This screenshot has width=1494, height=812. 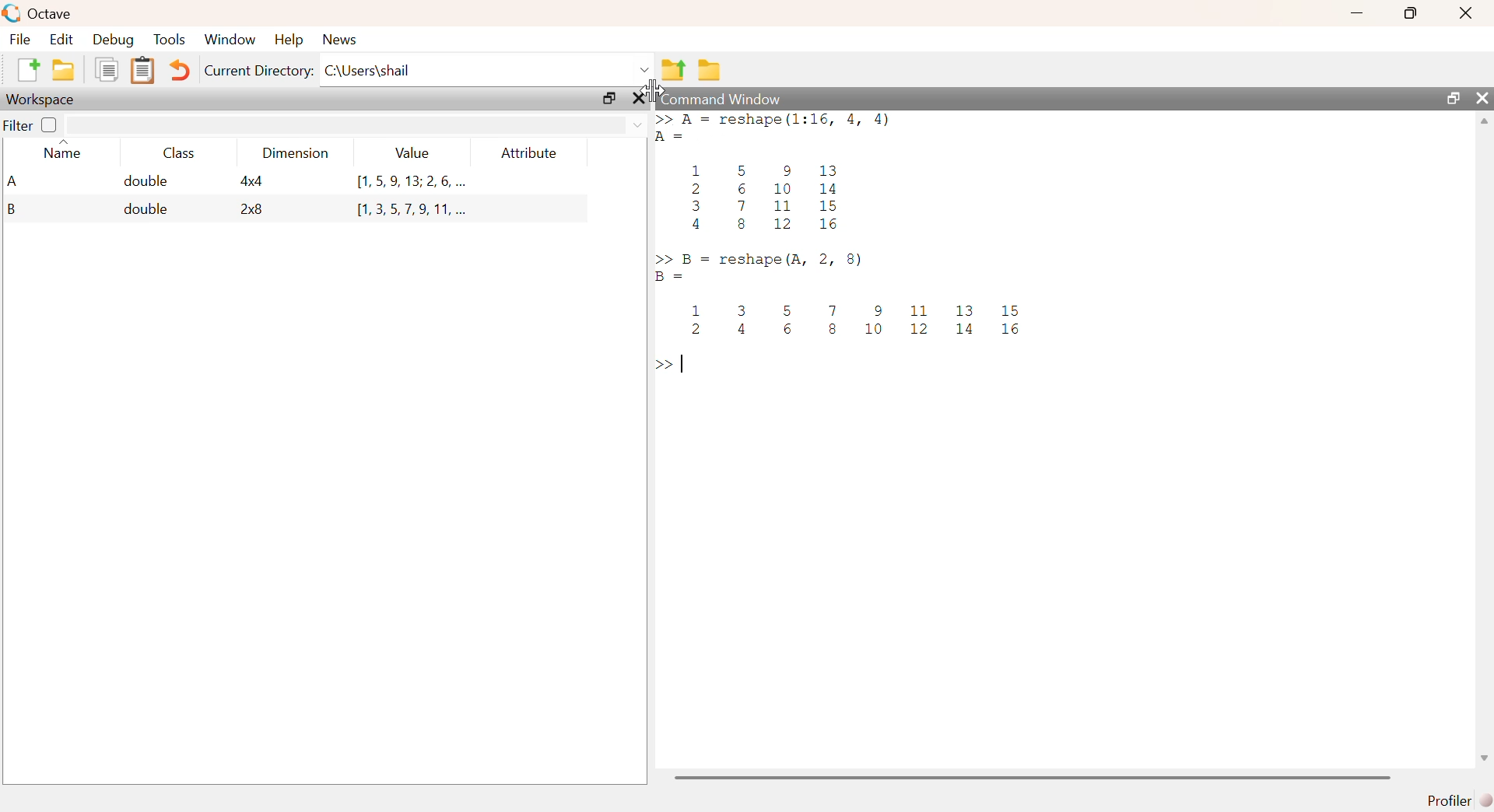 I want to click on maximize, so click(x=608, y=100).